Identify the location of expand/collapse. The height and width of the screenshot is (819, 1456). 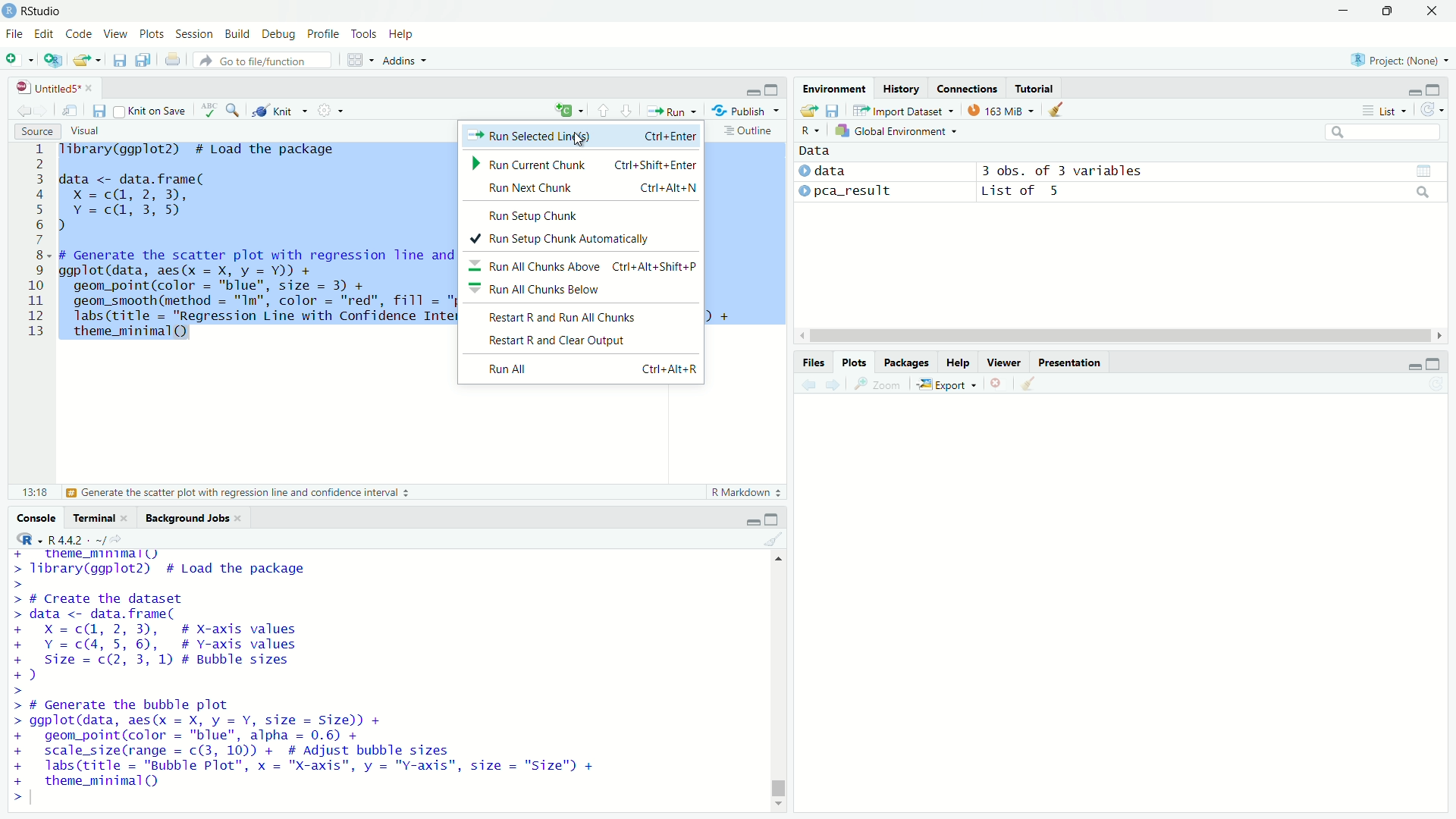
(803, 171).